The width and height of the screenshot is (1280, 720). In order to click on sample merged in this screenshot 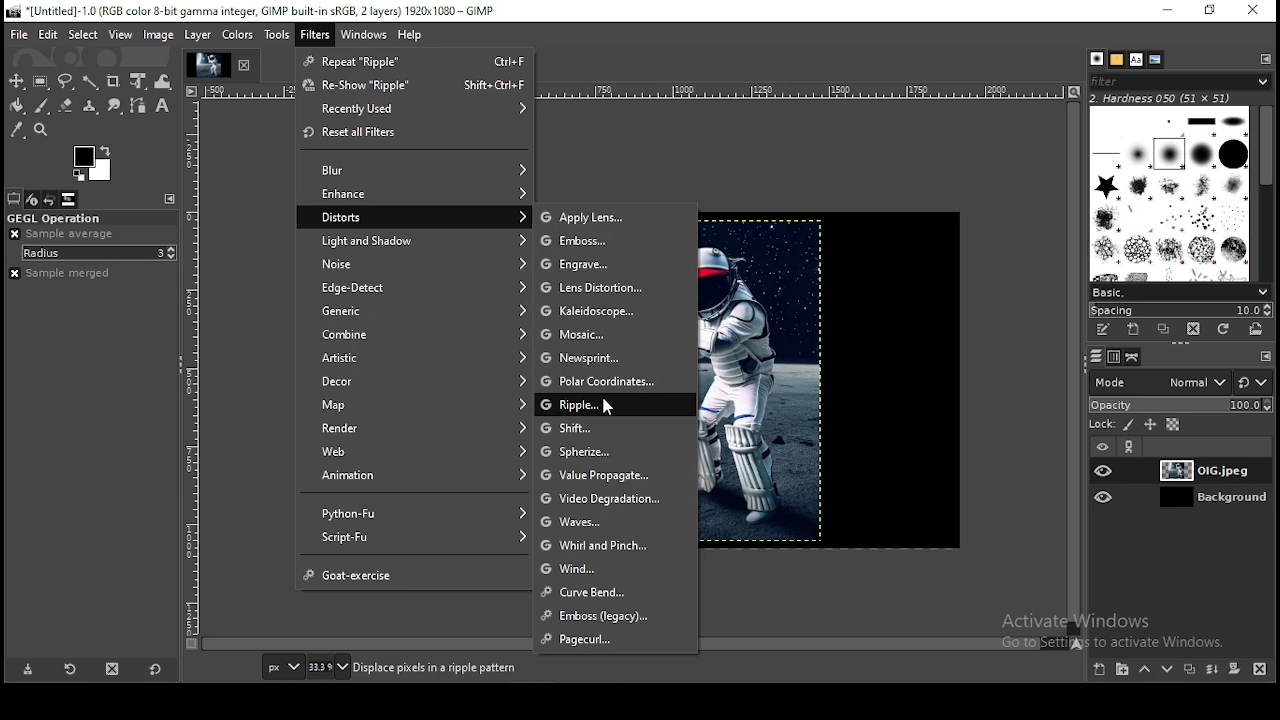, I will do `click(59, 274)`.